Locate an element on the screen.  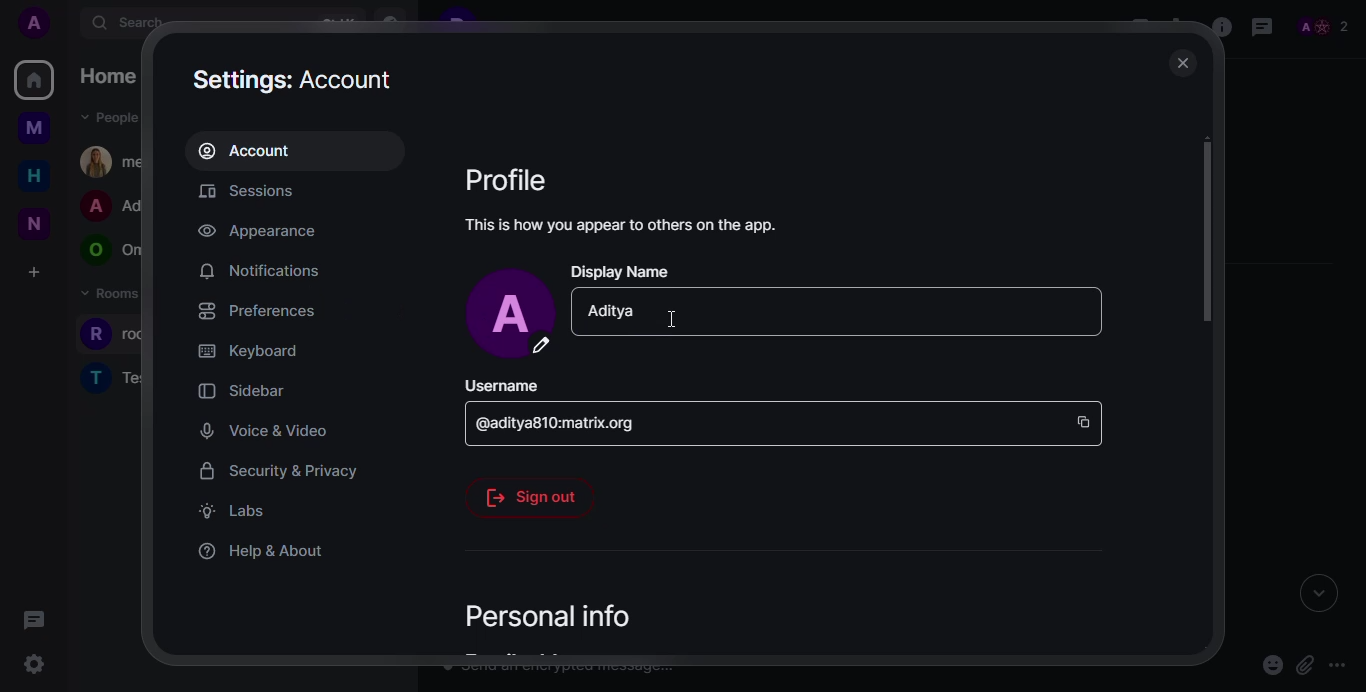
new is located at coordinates (38, 223).